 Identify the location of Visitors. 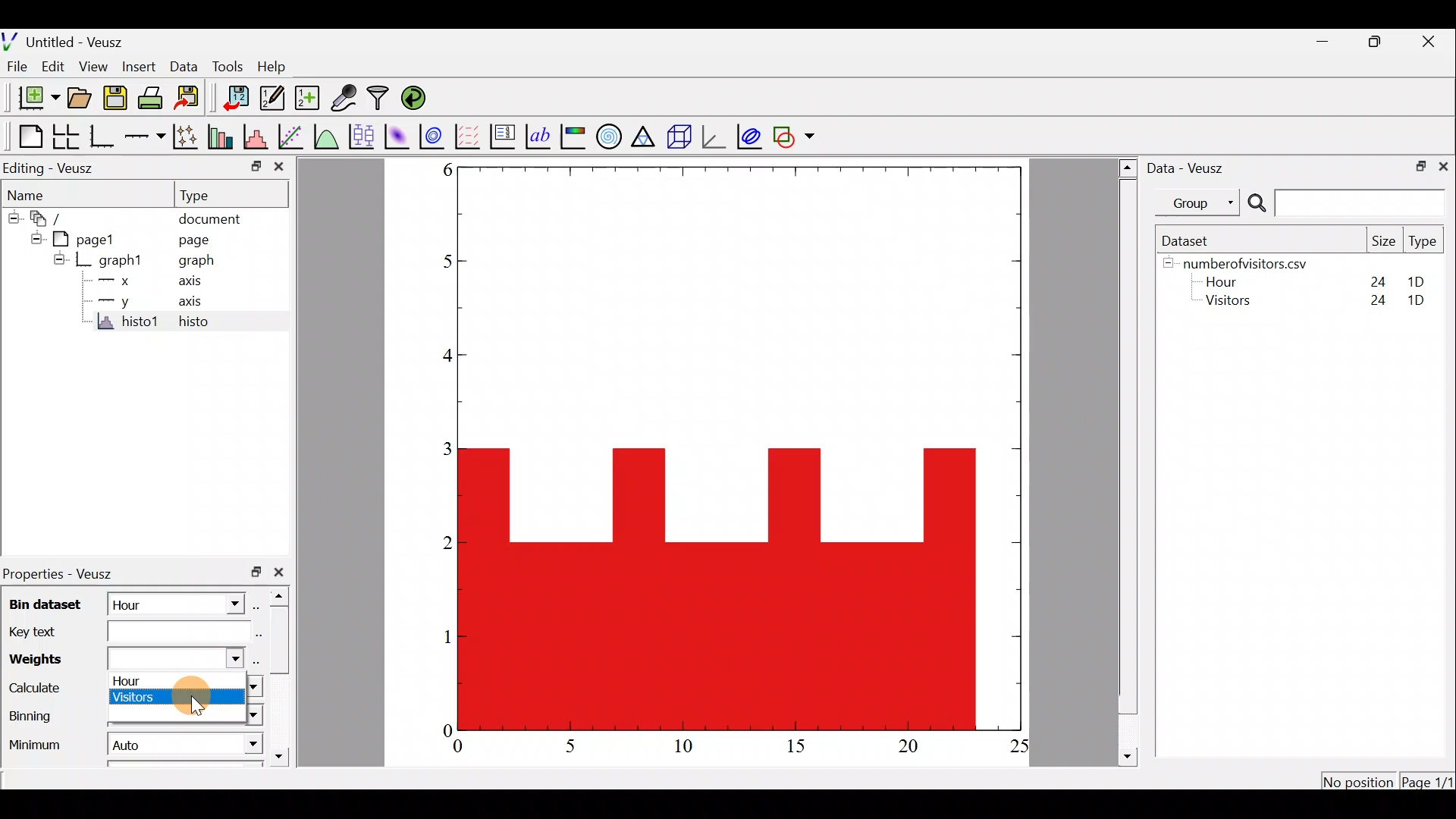
(140, 699).